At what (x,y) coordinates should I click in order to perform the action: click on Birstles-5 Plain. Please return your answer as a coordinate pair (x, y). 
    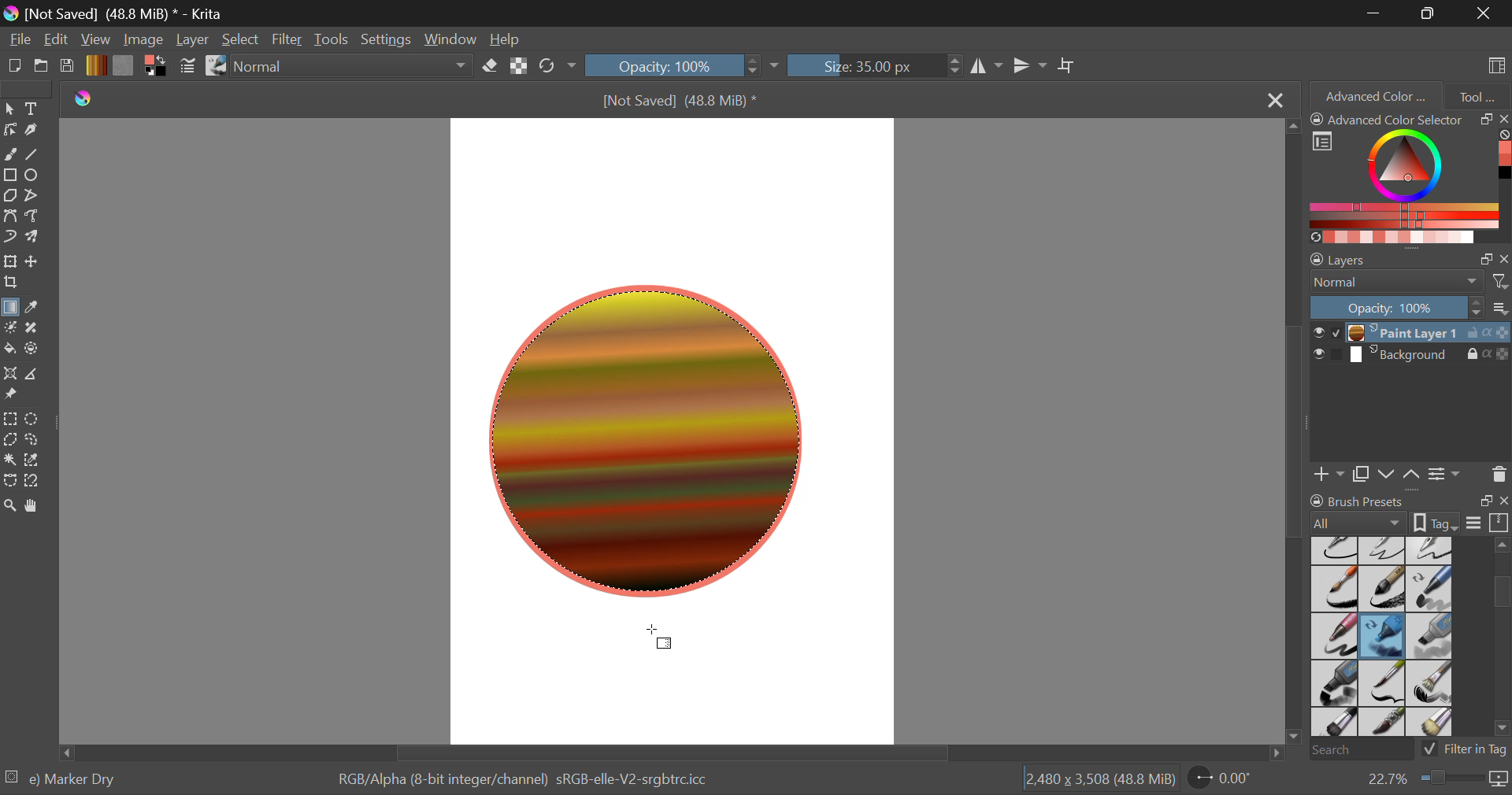
    Looking at the image, I should click on (1433, 723).